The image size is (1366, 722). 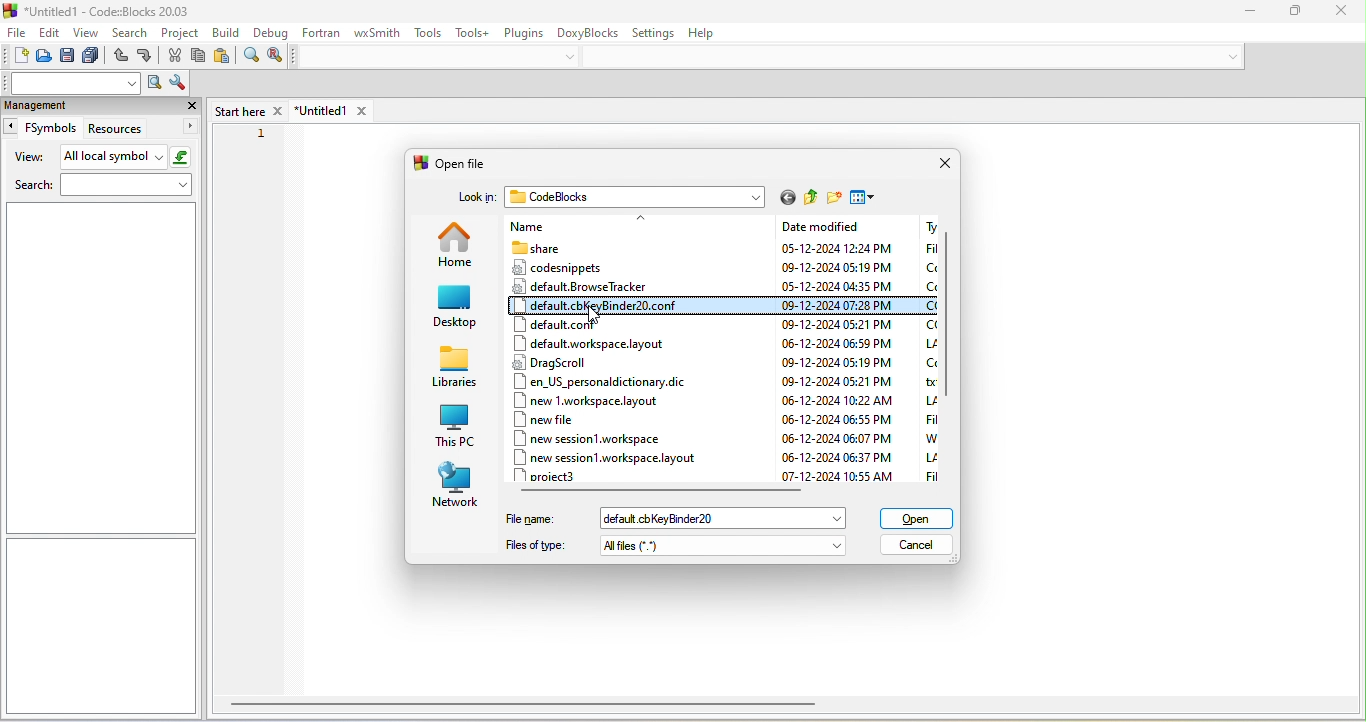 What do you see at coordinates (272, 32) in the screenshot?
I see `debug` at bounding box center [272, 32].